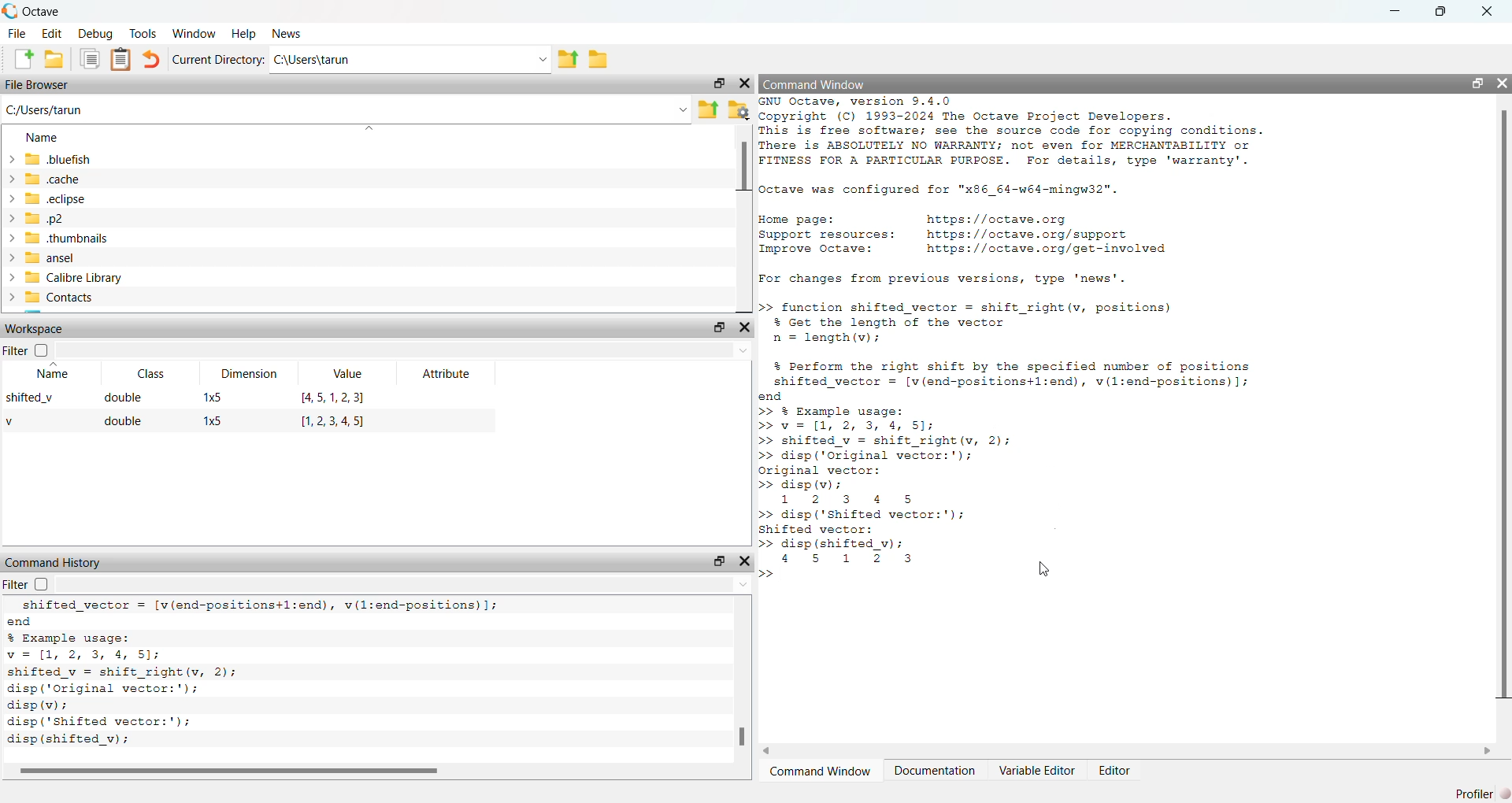 The image size is (1512, 803). I want to click on command window, so click(827, 84).